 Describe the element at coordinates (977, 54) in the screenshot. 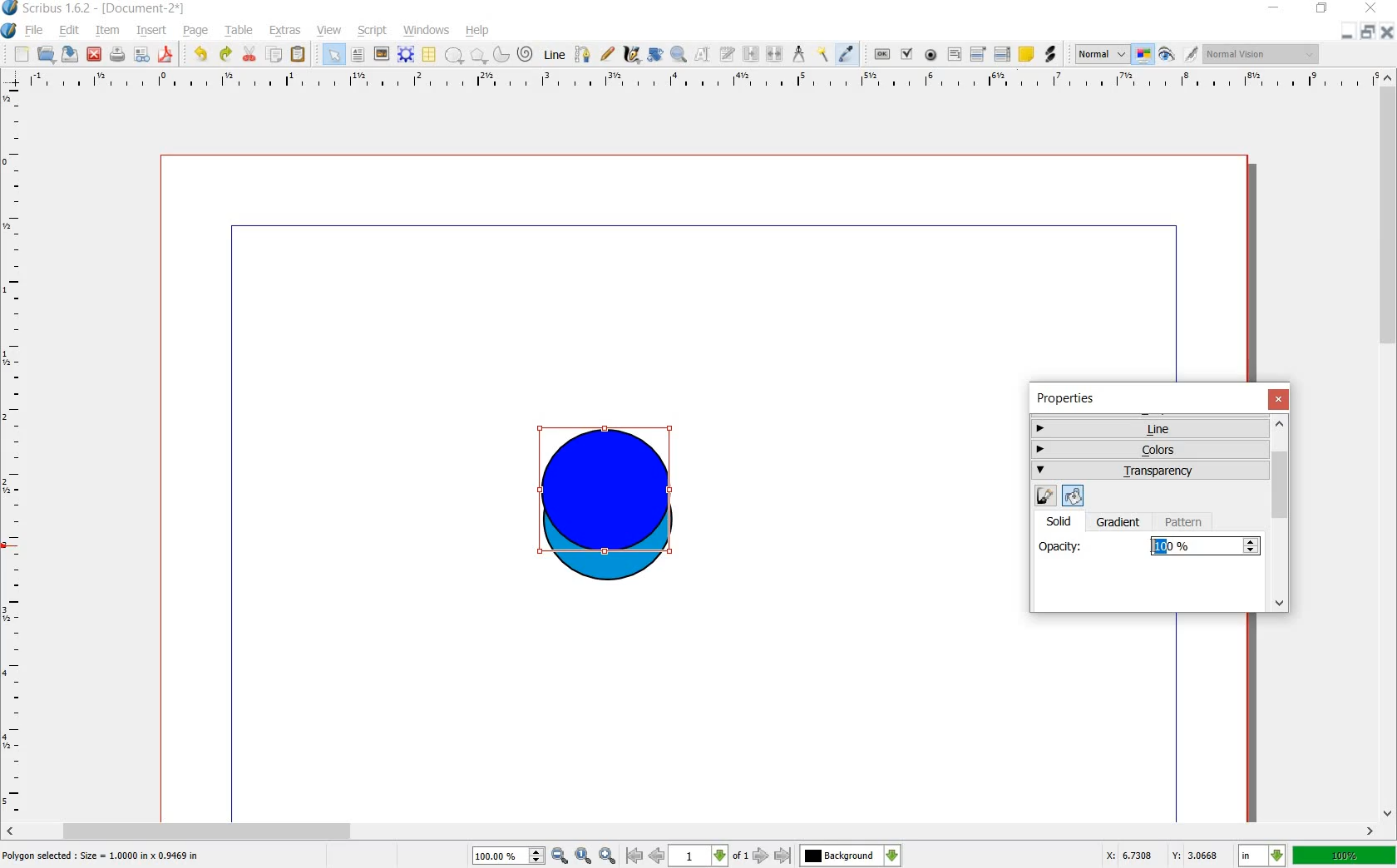

I see `pdf combo box` at that location.